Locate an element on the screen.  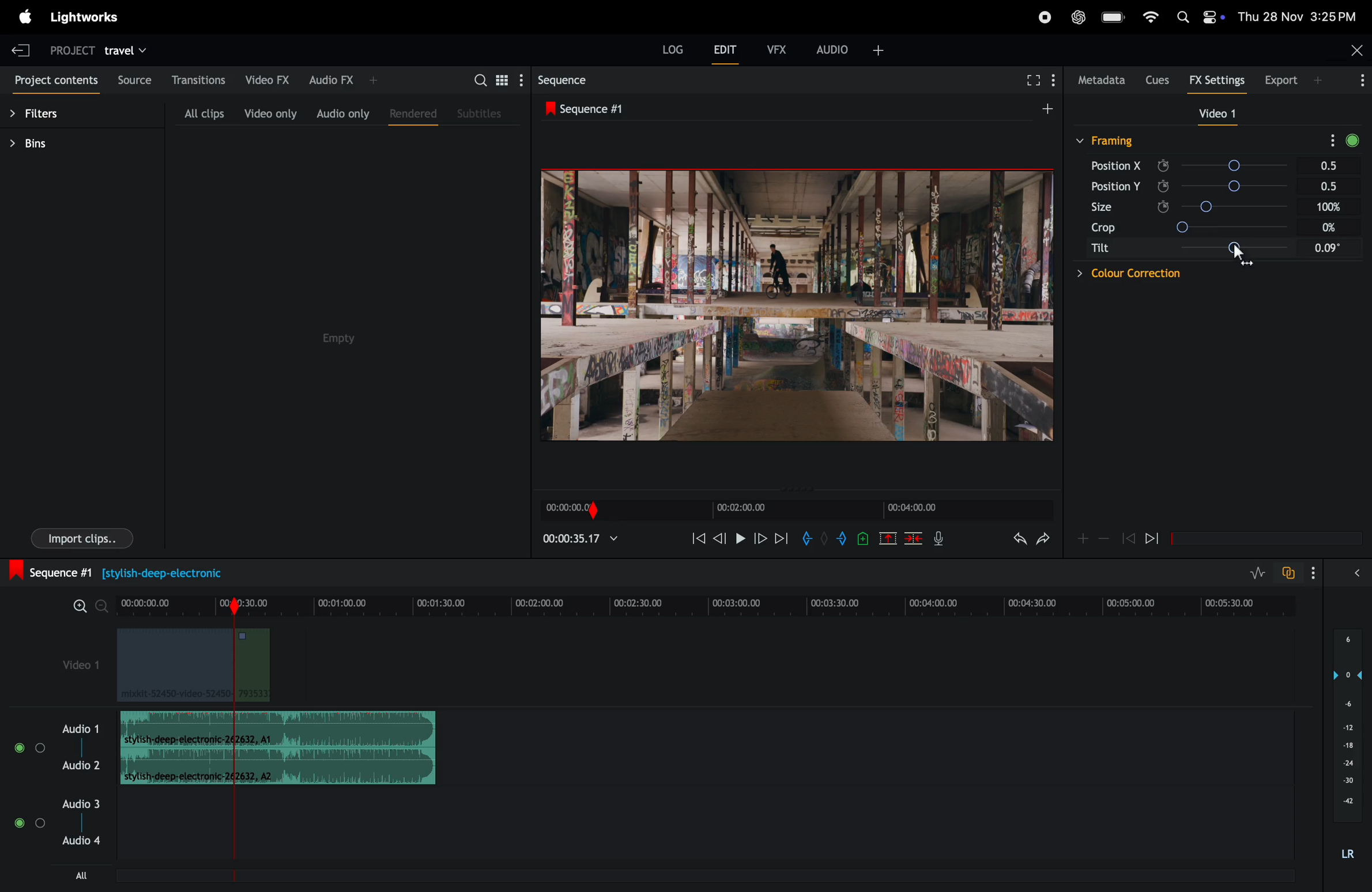
all clips is located at coordinates (195, 112).